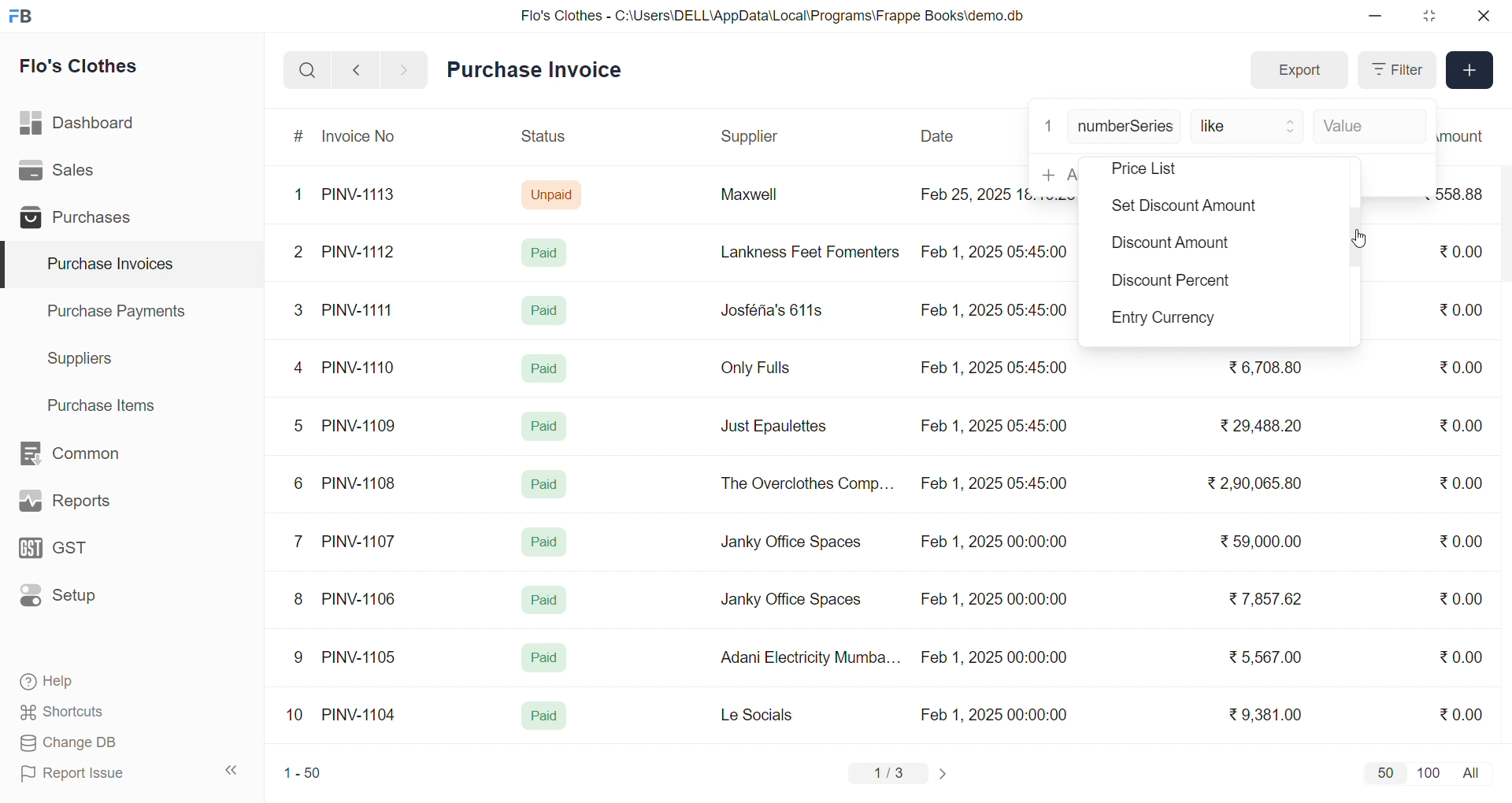  I want to click on Flo's Clothes - C:\Users\DELL\AppData\Local\Programs\Frappe Books\demo.db, so click(773, 16).